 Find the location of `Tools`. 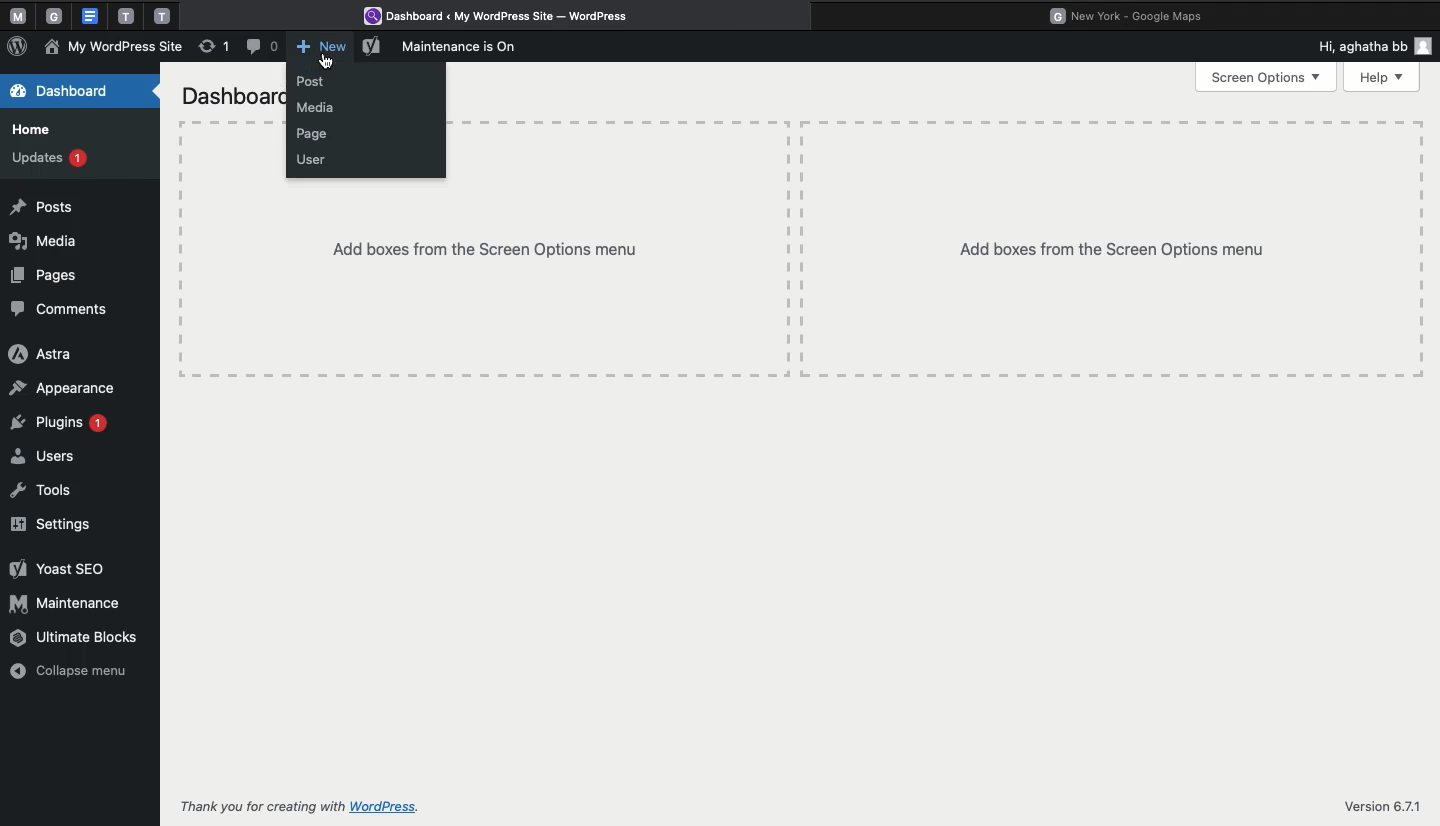

Tools is located at coordinates (43, 490).